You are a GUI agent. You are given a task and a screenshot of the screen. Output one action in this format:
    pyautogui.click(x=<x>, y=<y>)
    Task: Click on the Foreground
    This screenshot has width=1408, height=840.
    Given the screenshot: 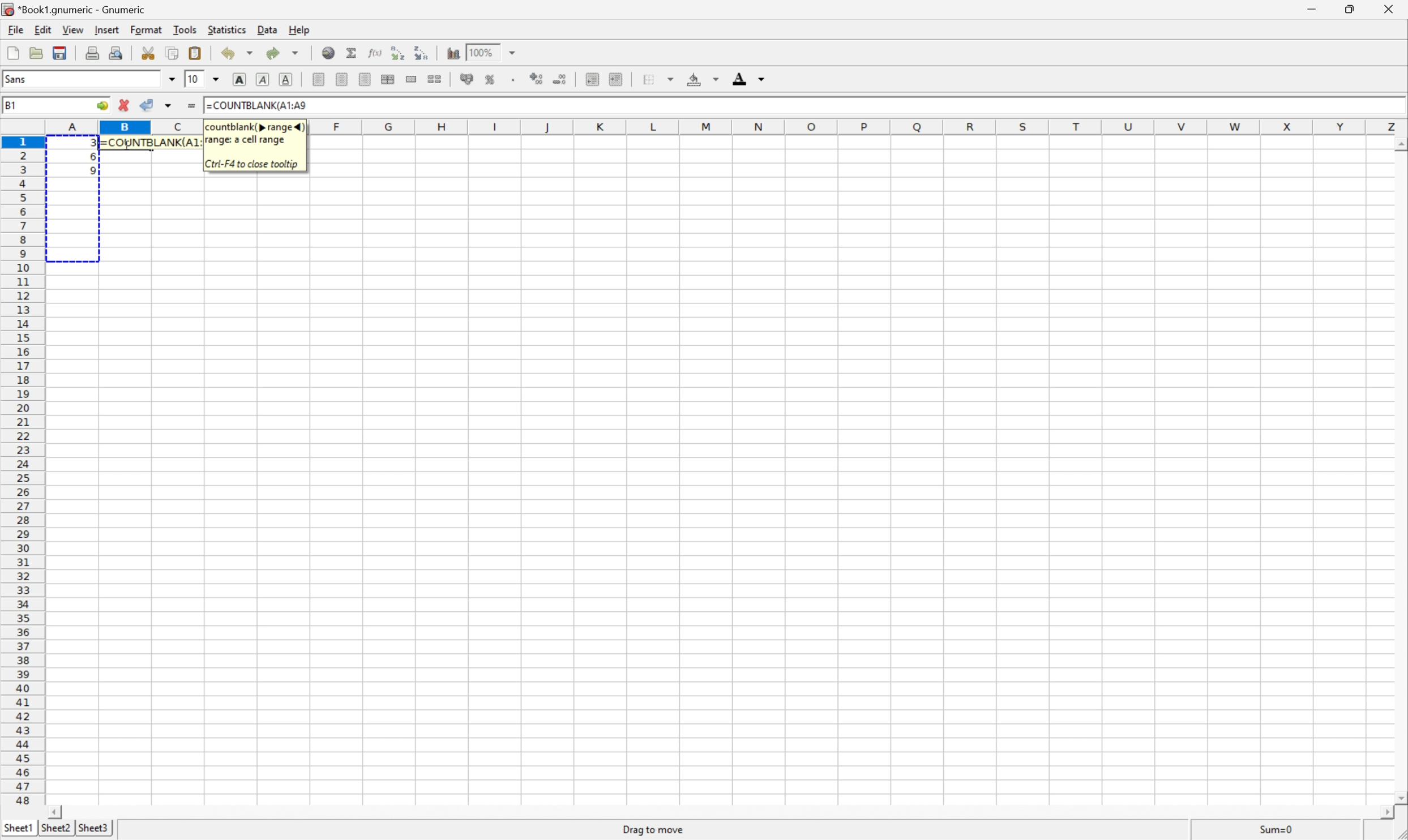 What is the action you would take?
    pyautogui.click(x=747, y=79)
    